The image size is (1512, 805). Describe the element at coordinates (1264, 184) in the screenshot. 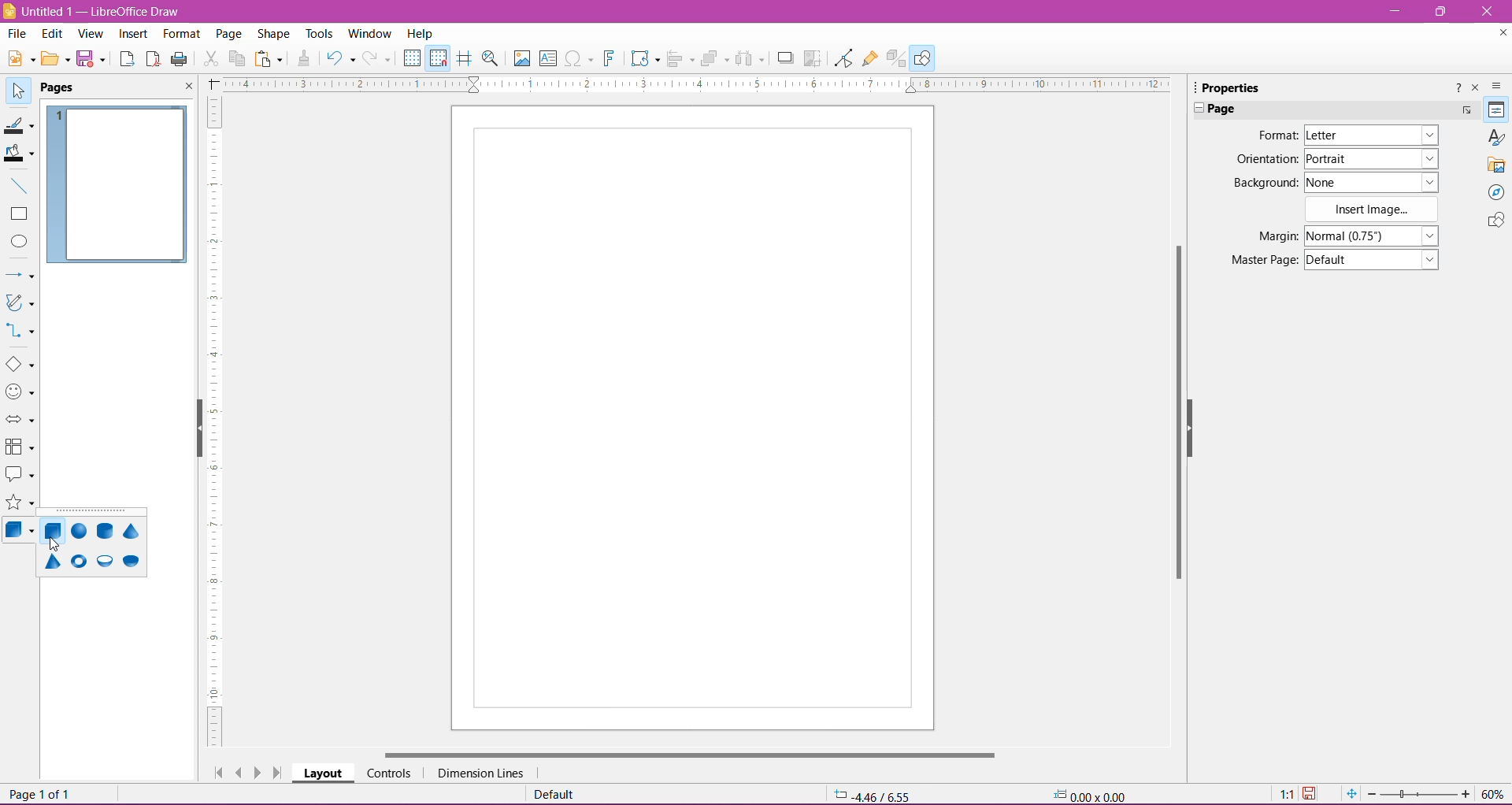

I see `Background` at that location.